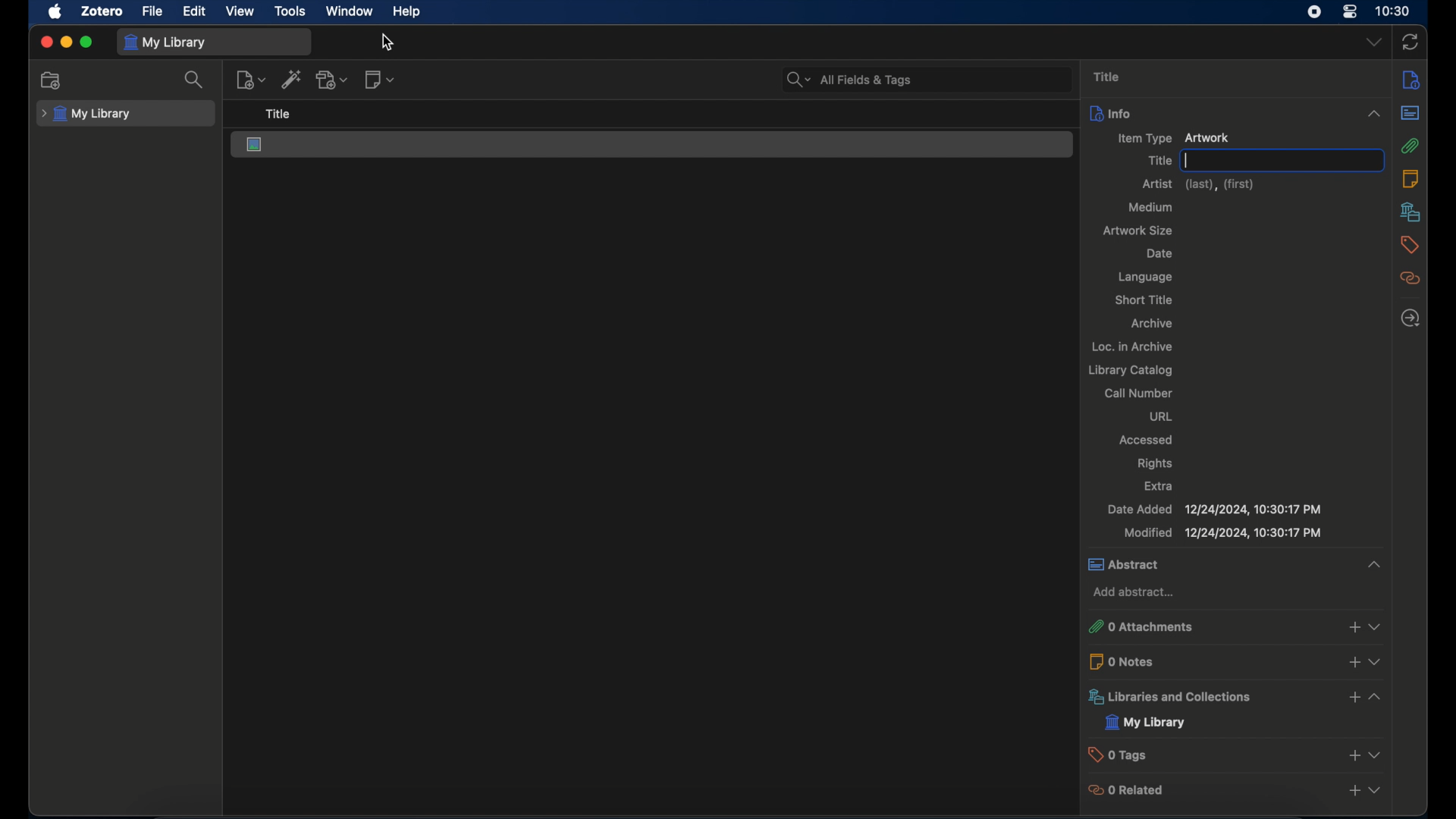  What do you see at coordinates (1129, 371) in the screenshot?
I see `library catalog` at bounding box center [1129, 371].